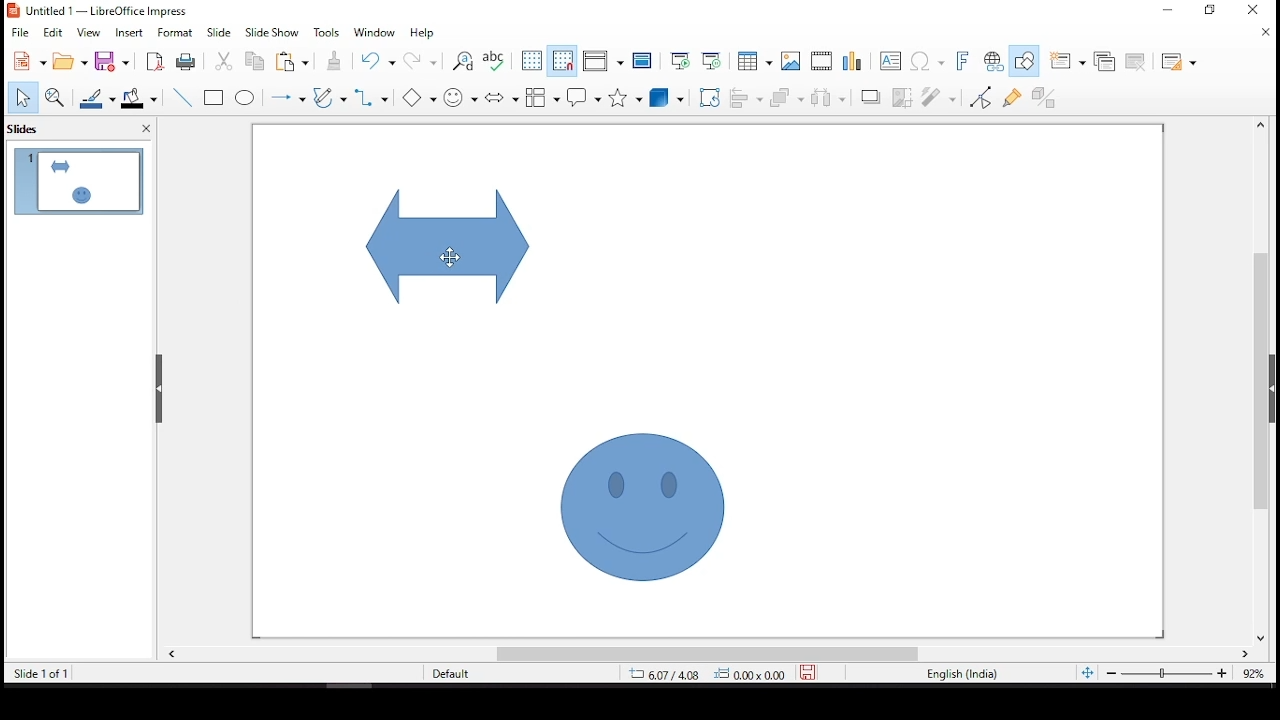 This screenshot has width=1280, height=720. Describe the element at coordinates (855, 62) in the screenshot. I see `charts` at that location.